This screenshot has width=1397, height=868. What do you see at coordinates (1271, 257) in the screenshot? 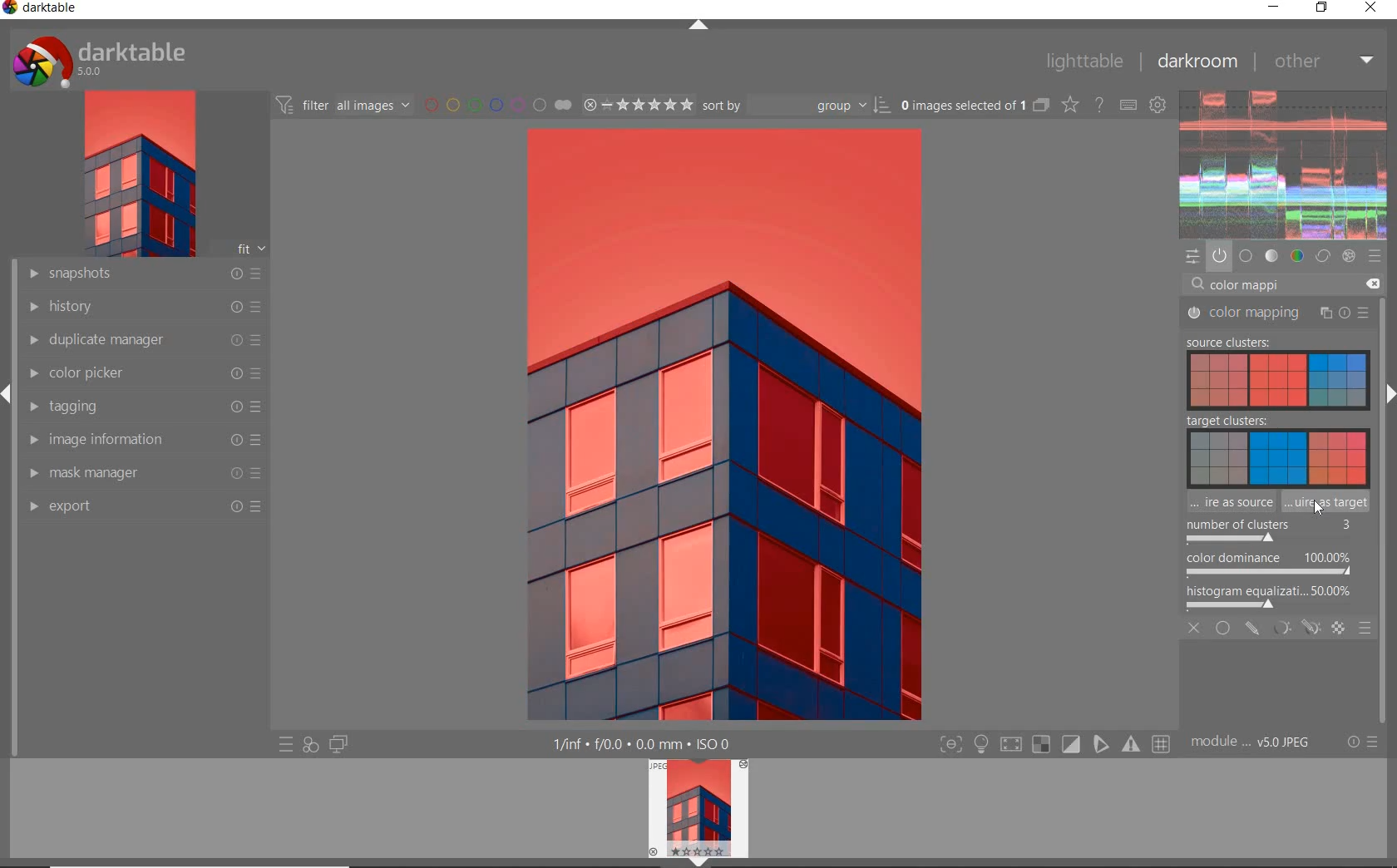
I see `tone` at bounding box center [1271, 257].